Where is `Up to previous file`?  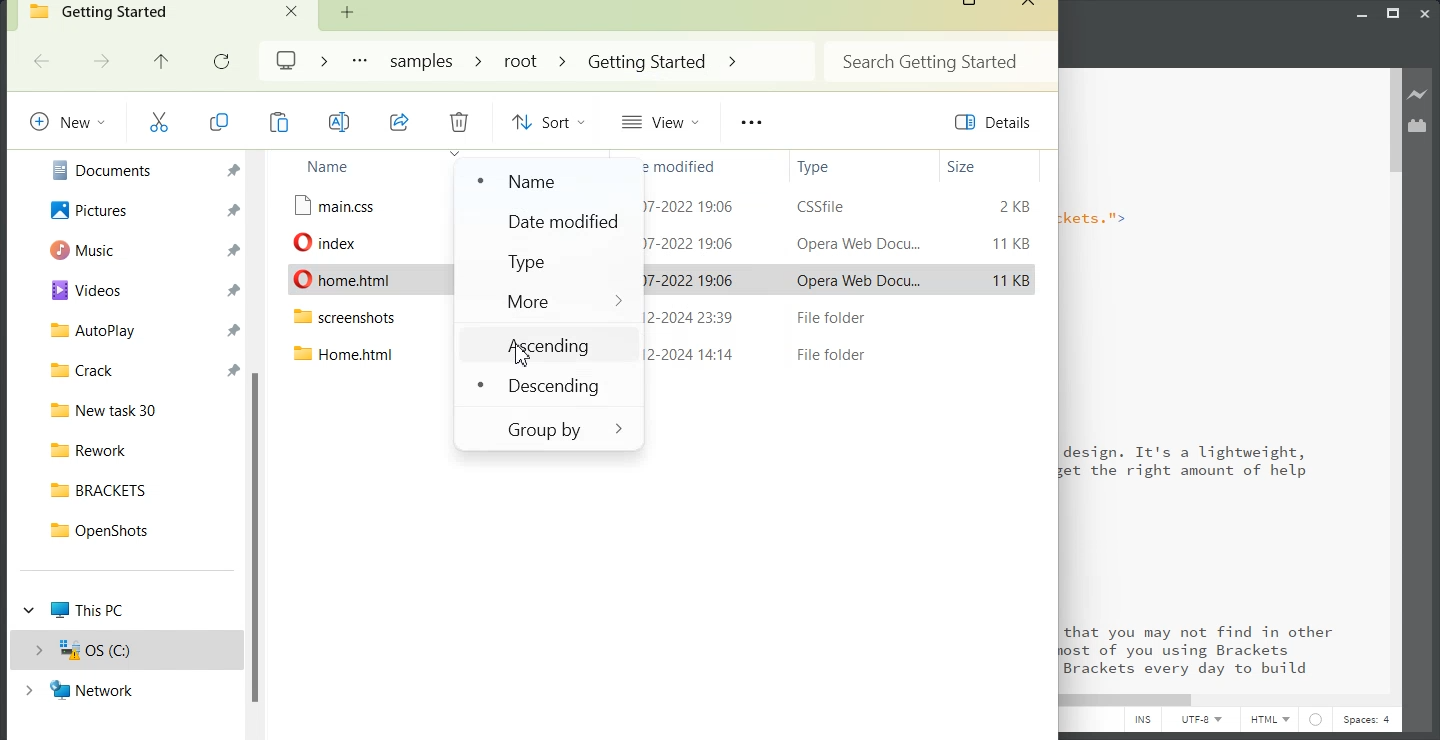
Up to previous file is located at coordinates (161, 61).